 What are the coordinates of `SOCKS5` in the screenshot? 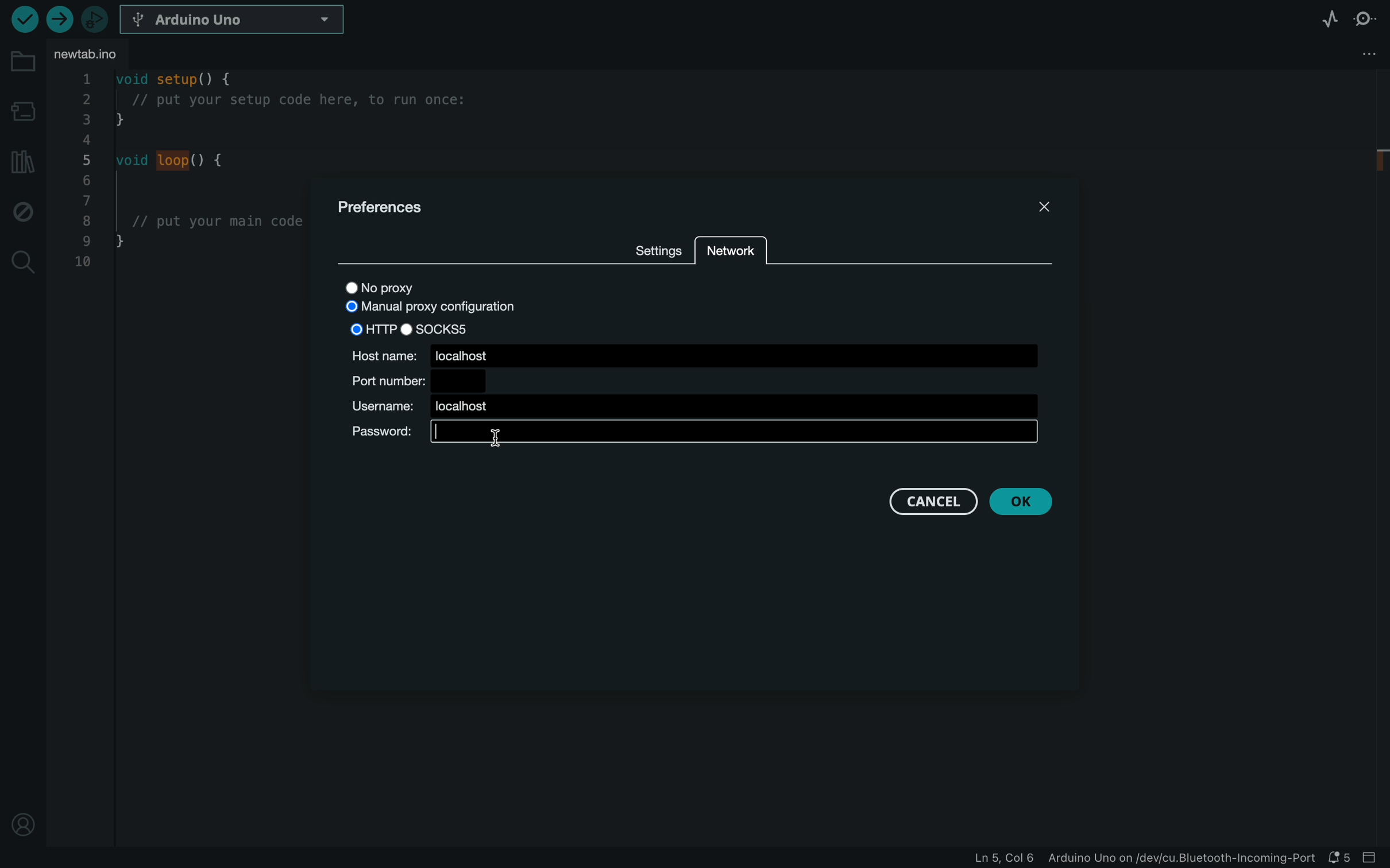 It's located at (438, 328).